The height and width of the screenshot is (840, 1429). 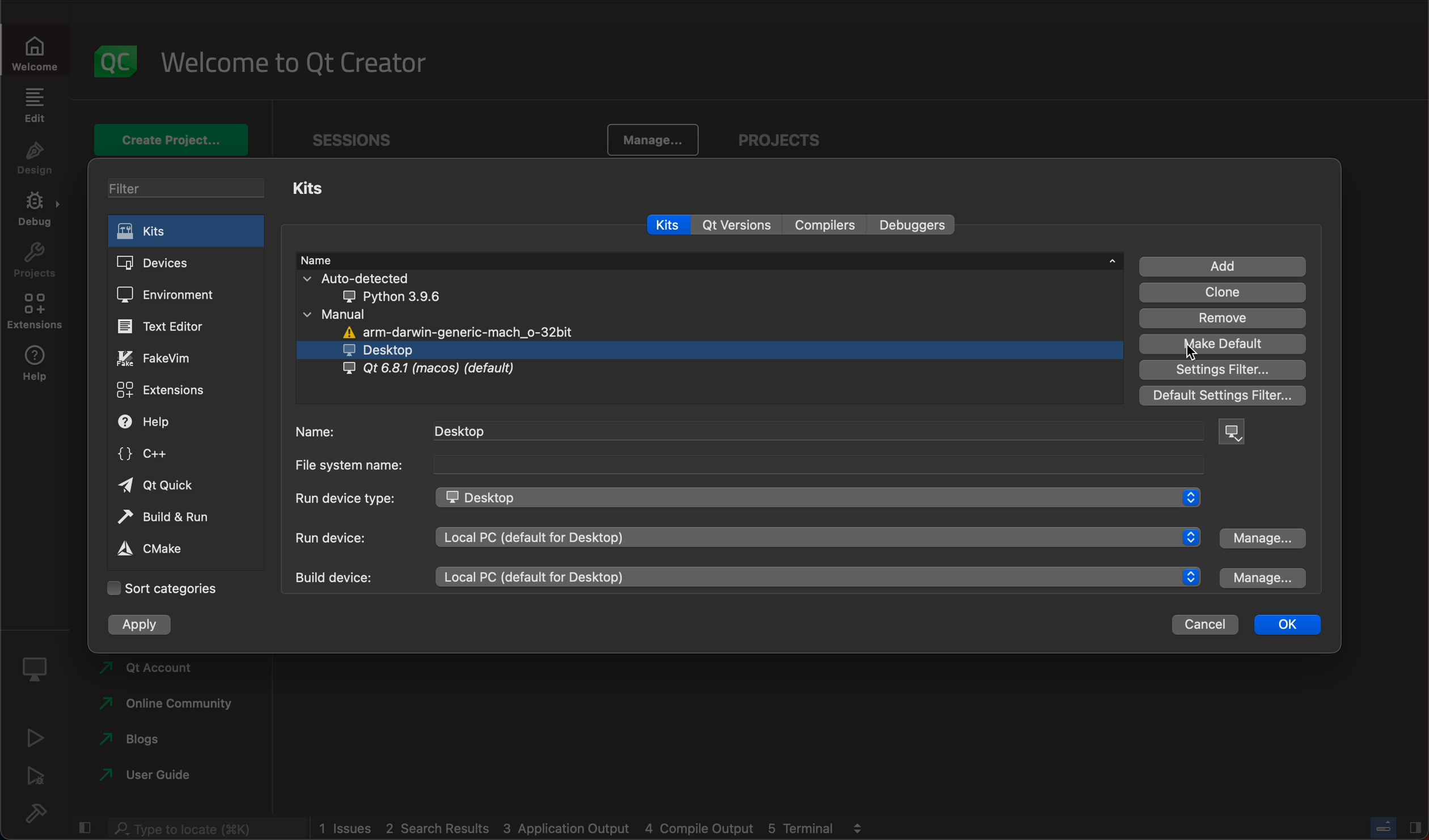 What do you see at coordinates (166, 516) in the screenshot?
I see `build and run` at bounding box center [166, 516].